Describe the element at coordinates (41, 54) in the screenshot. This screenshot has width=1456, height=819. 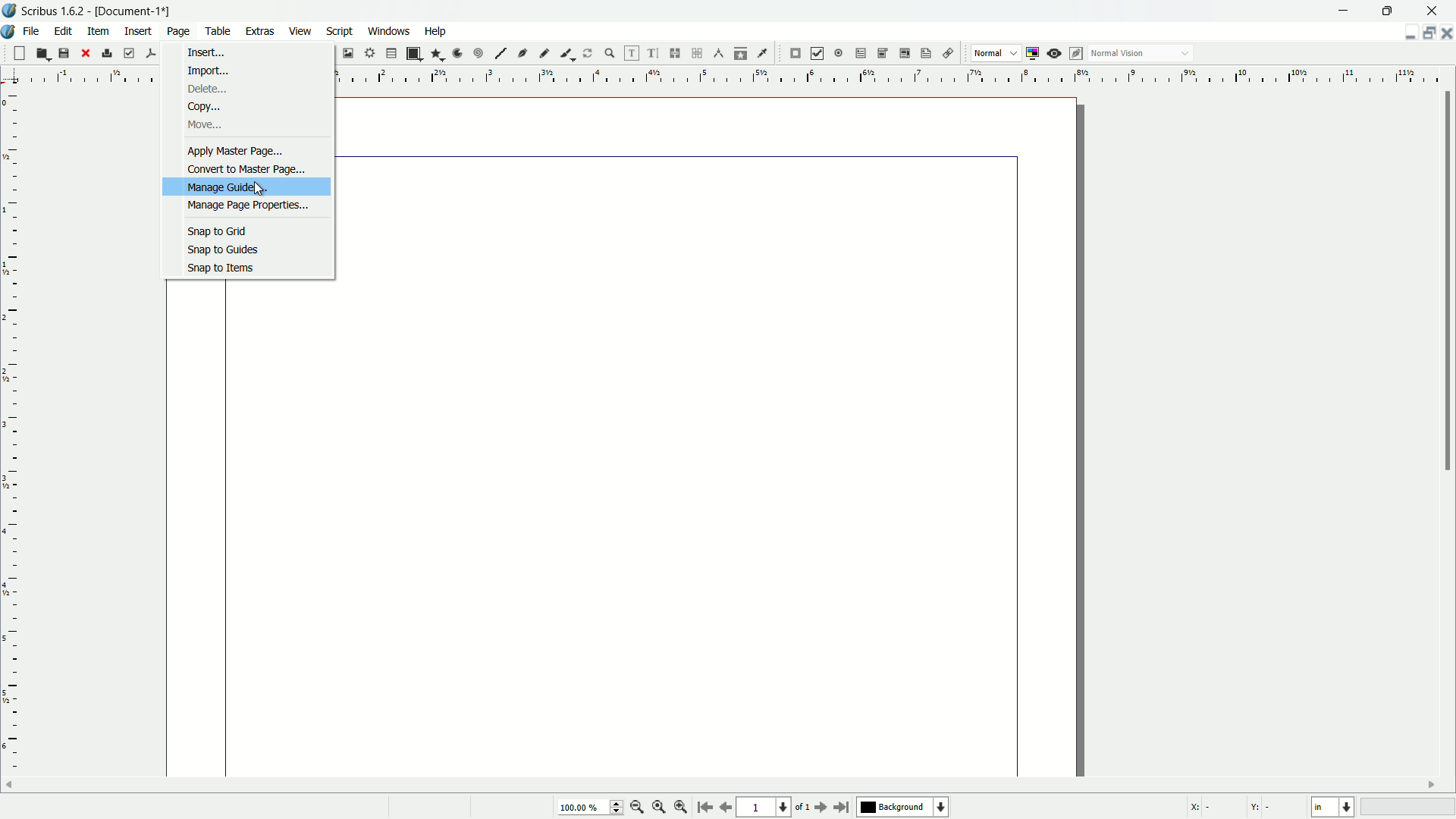
I see `open` at that location.